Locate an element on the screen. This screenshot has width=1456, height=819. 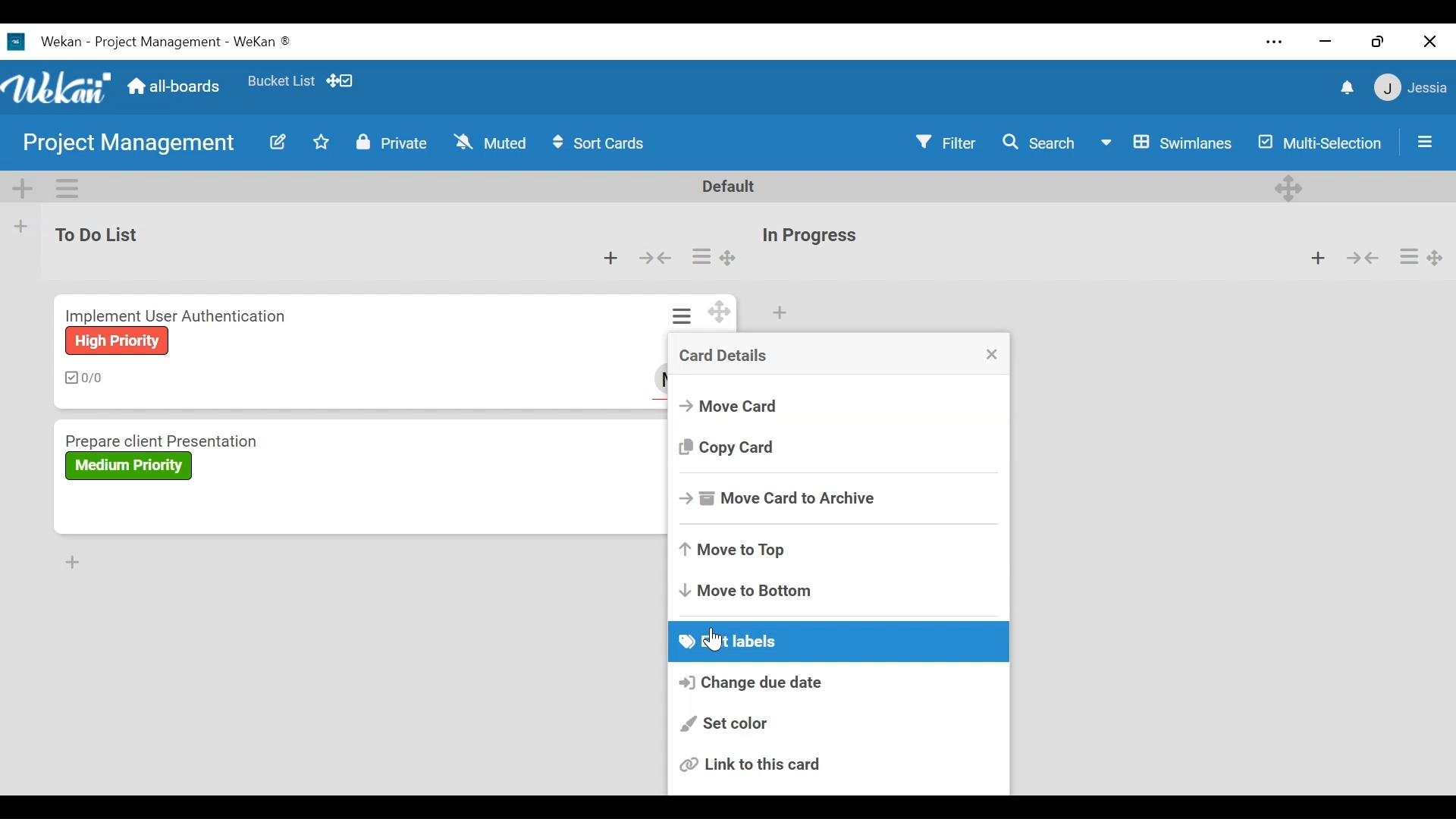
Add list is located at coordinates (22, 227).